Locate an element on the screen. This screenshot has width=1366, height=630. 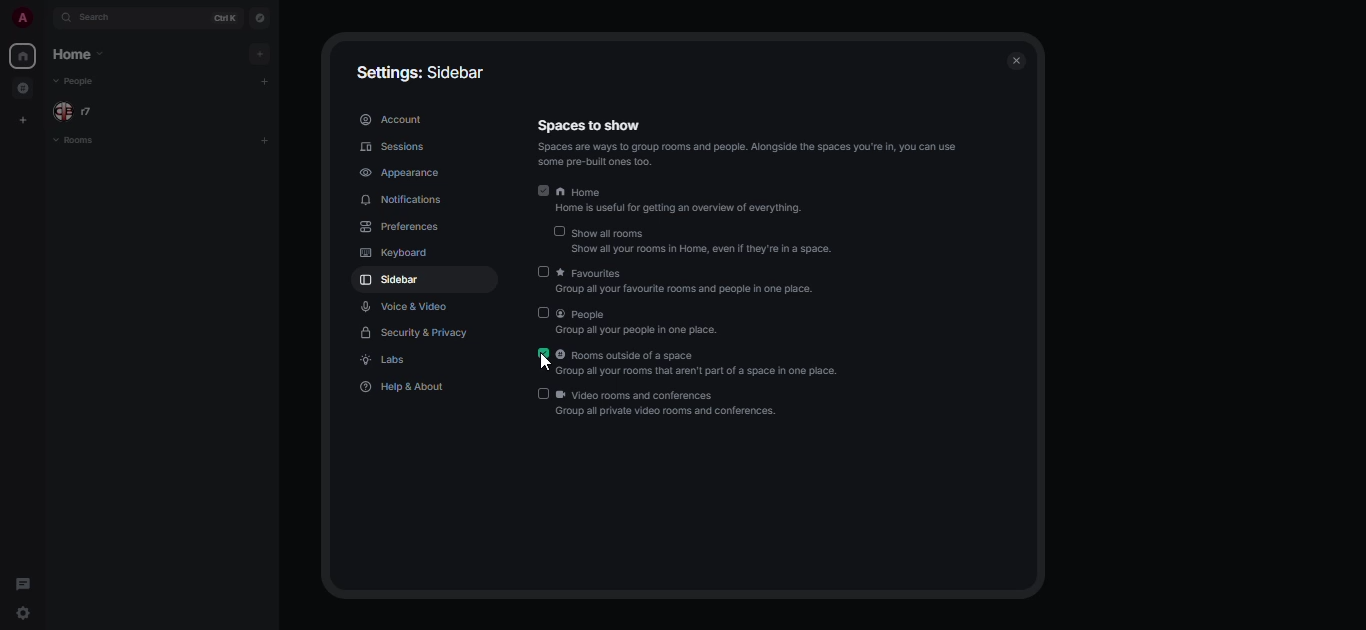
info is located at coordinates (758, 153).